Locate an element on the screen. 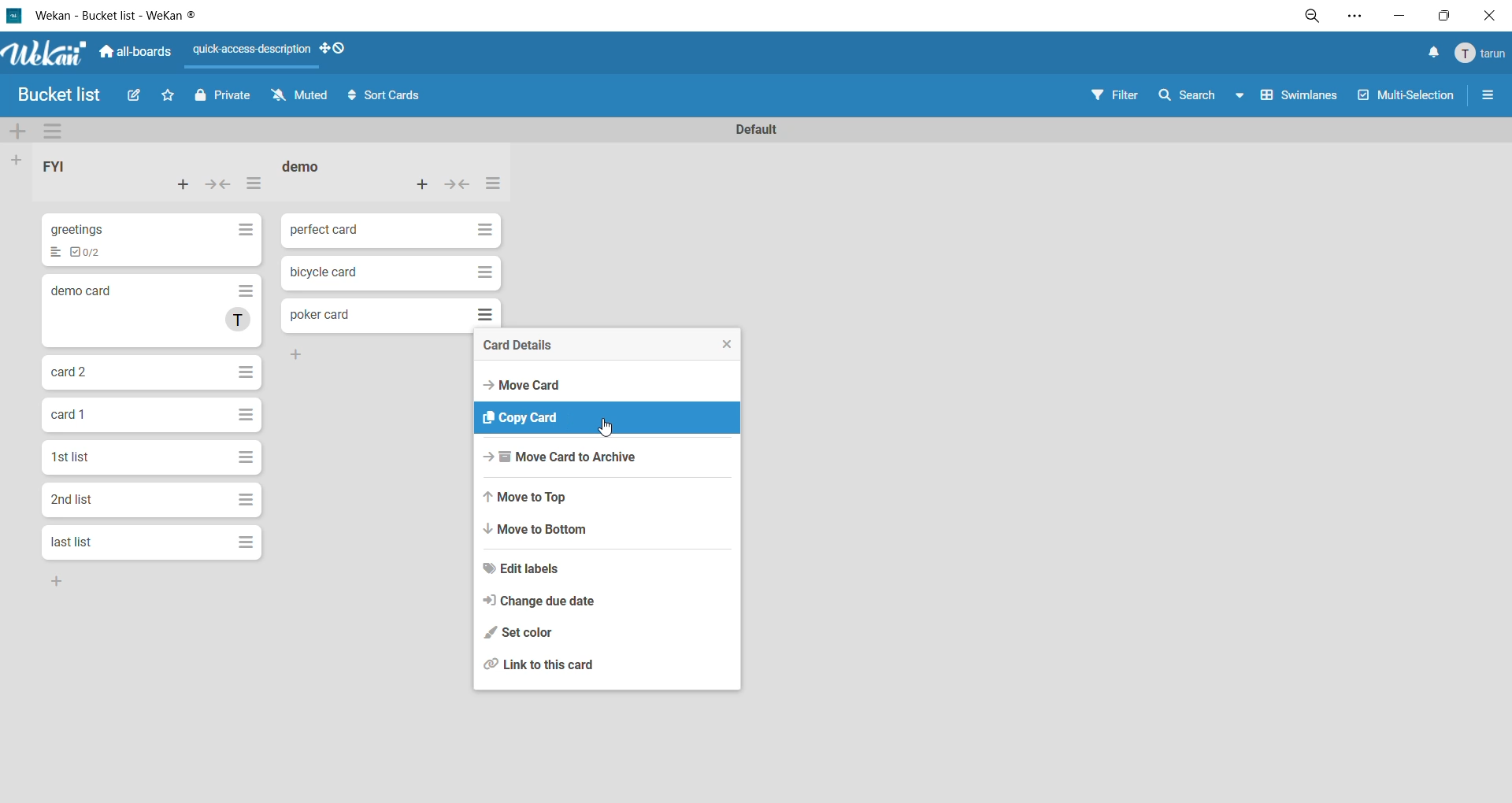  all boards is located at coordinates (136, 50).